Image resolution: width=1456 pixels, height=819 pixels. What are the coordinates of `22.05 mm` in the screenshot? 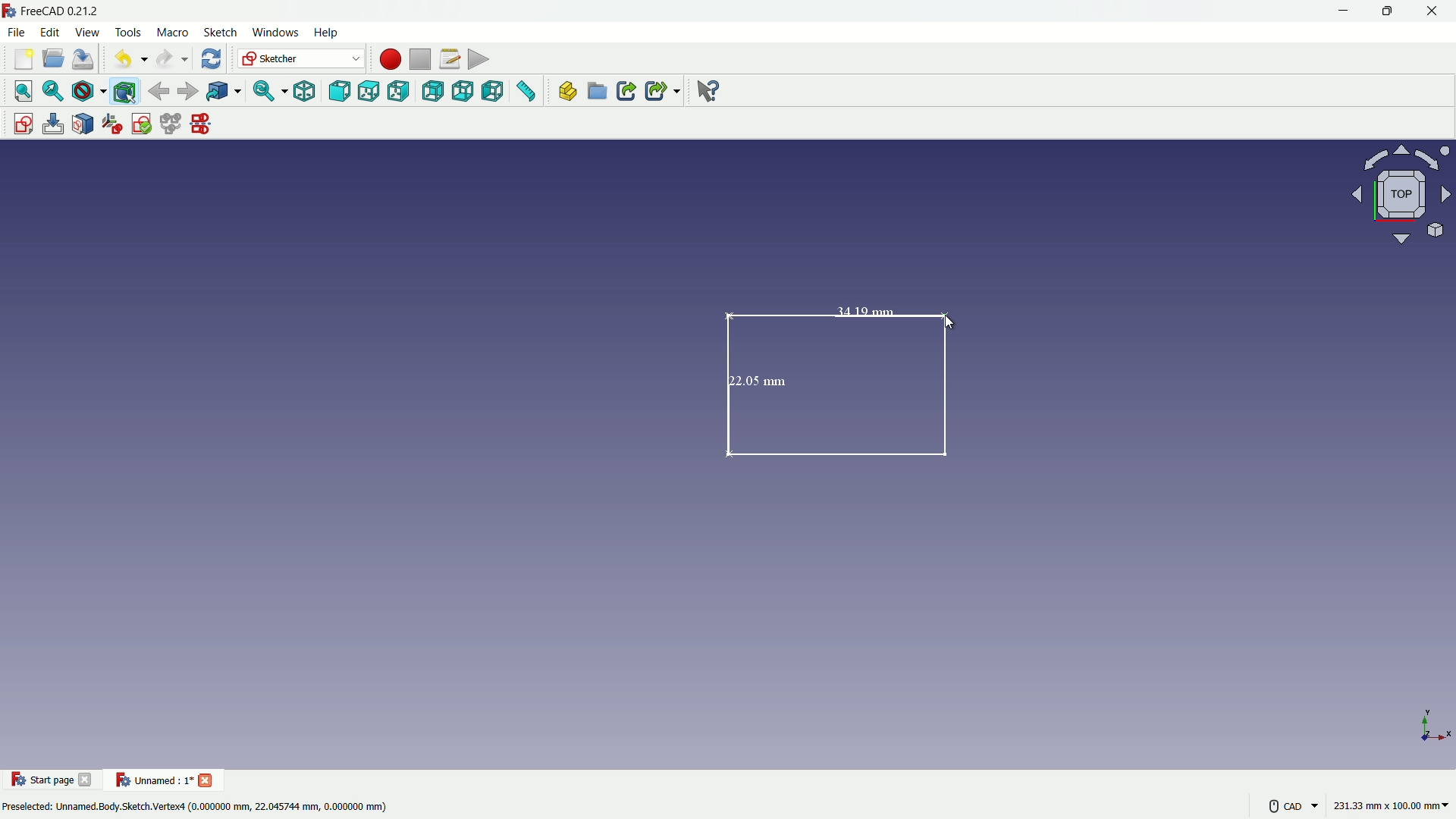 It's located at (758, 380).